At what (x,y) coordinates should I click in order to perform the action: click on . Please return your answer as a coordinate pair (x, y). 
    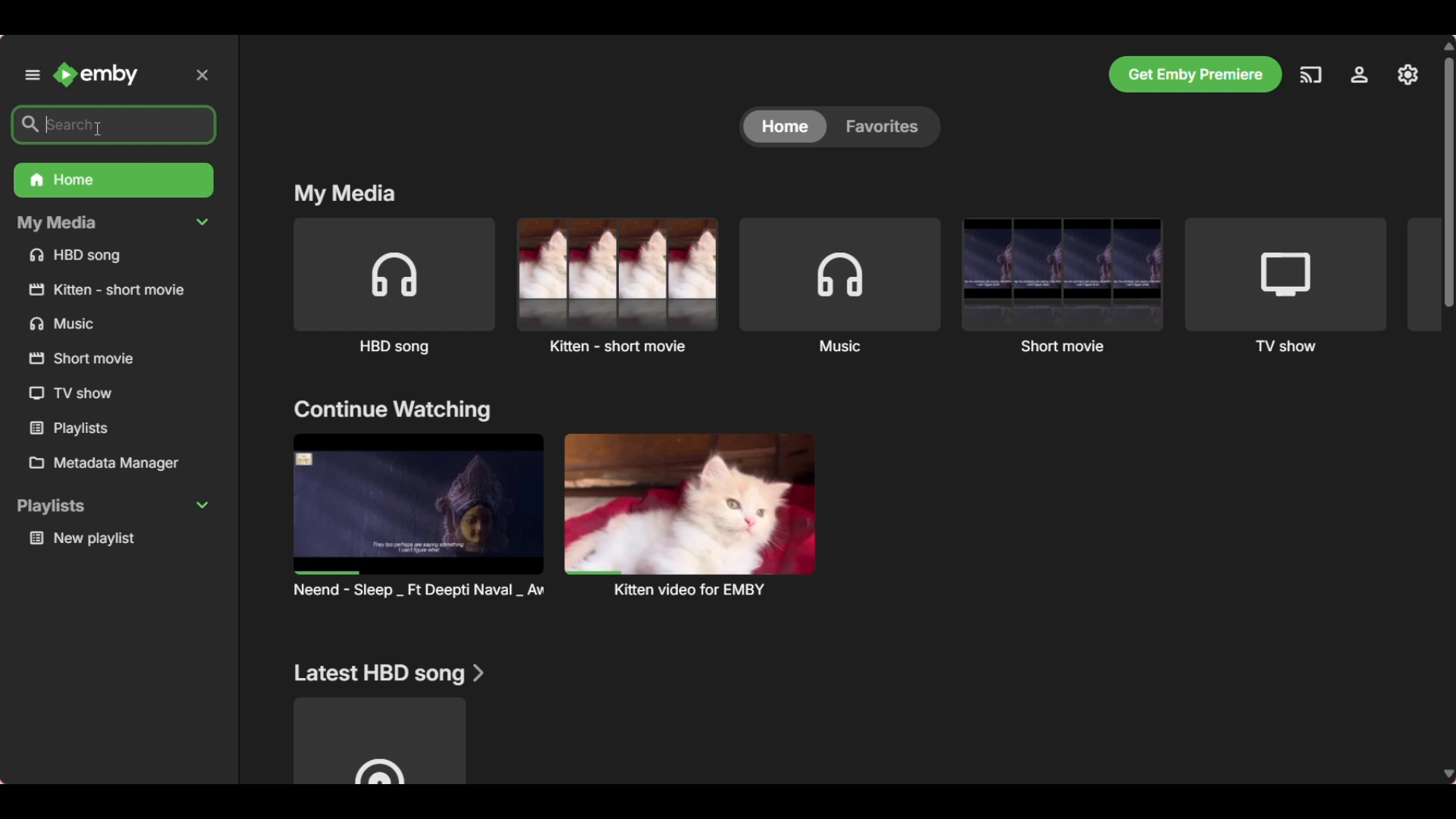
    Looking at the image, I should click on (117, 289).